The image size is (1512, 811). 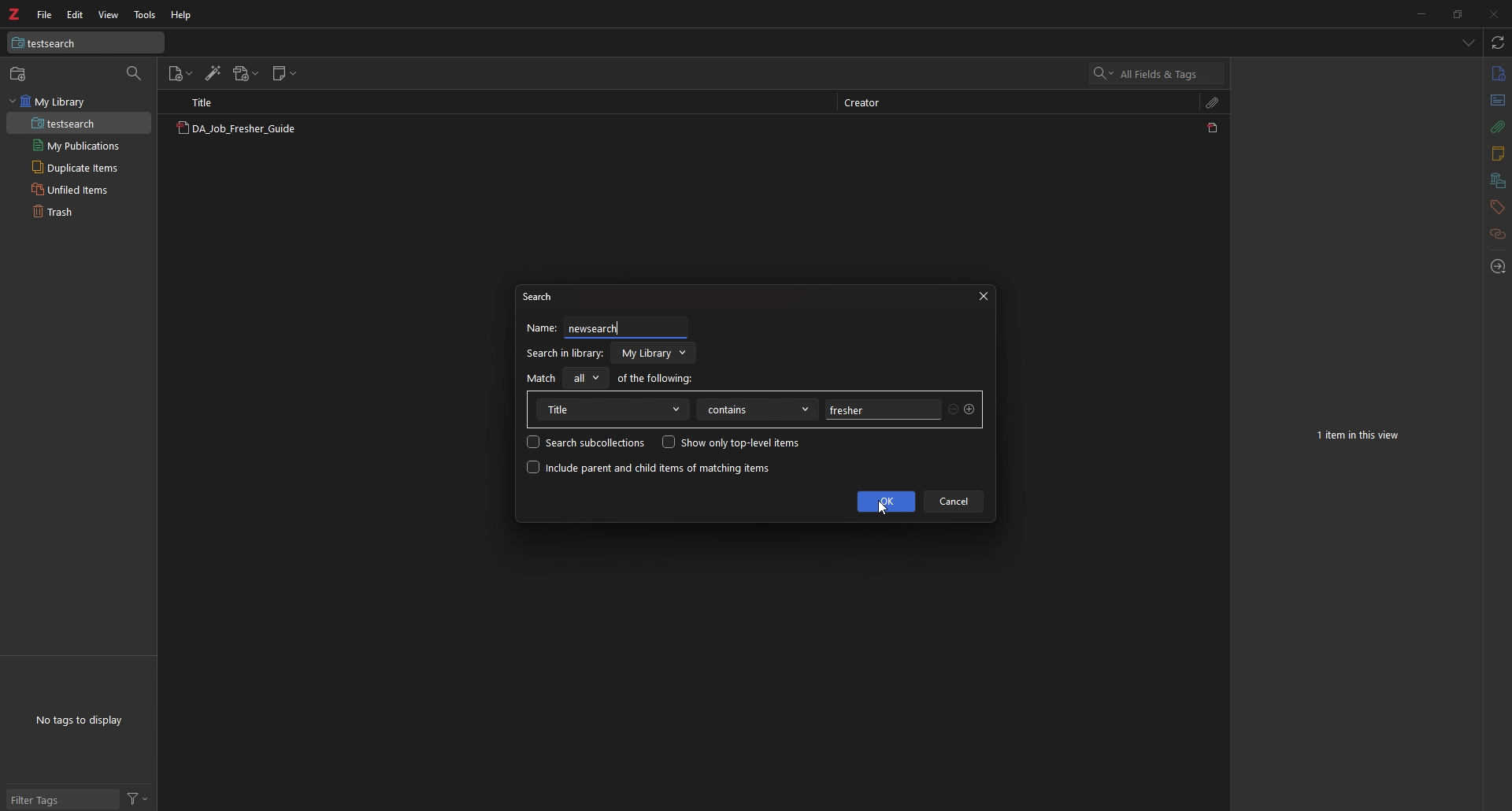 What do you see at coordinates (86, 43) in the screenshot?
I see `test search` at bounding box center [86, 43].